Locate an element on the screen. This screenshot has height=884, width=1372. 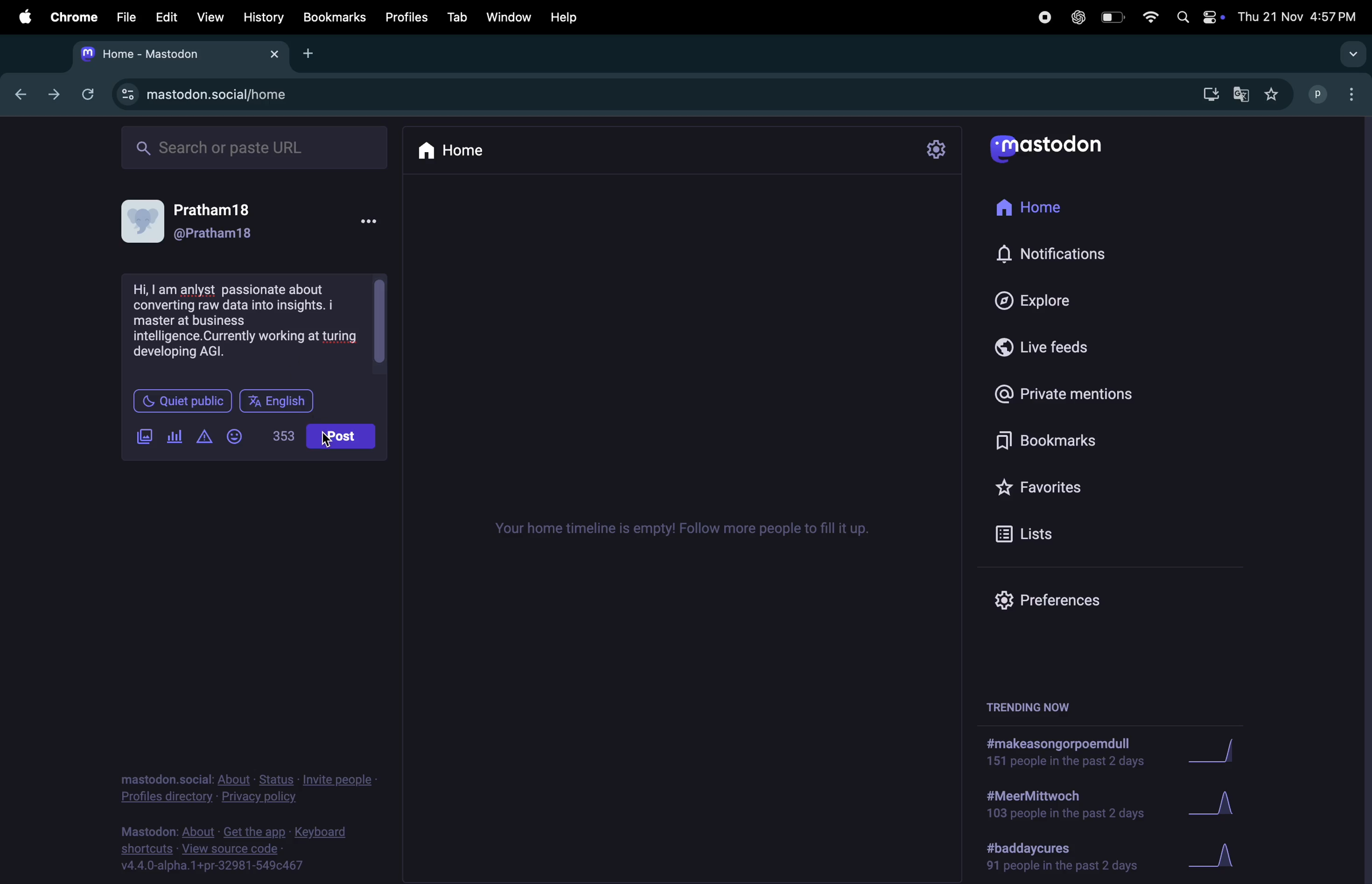
site information is located at coordinates (127, 94).